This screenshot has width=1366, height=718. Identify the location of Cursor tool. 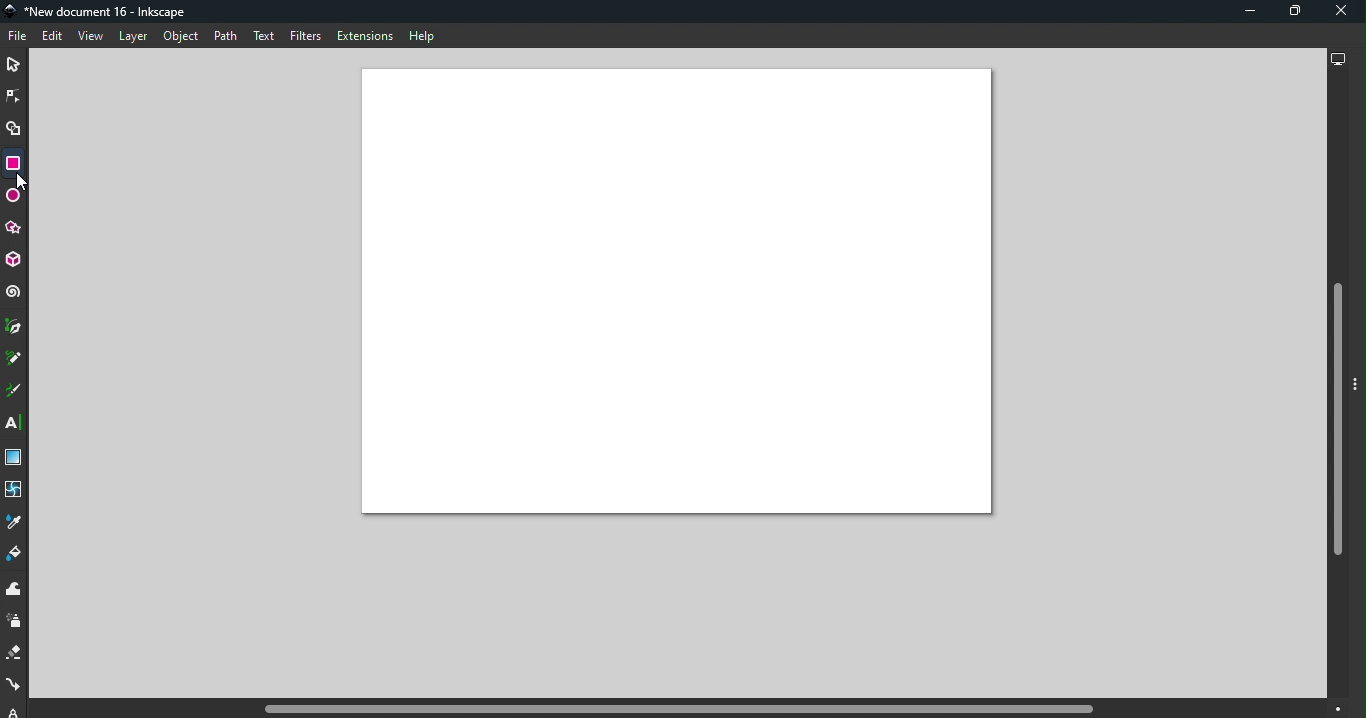
(24, 182).